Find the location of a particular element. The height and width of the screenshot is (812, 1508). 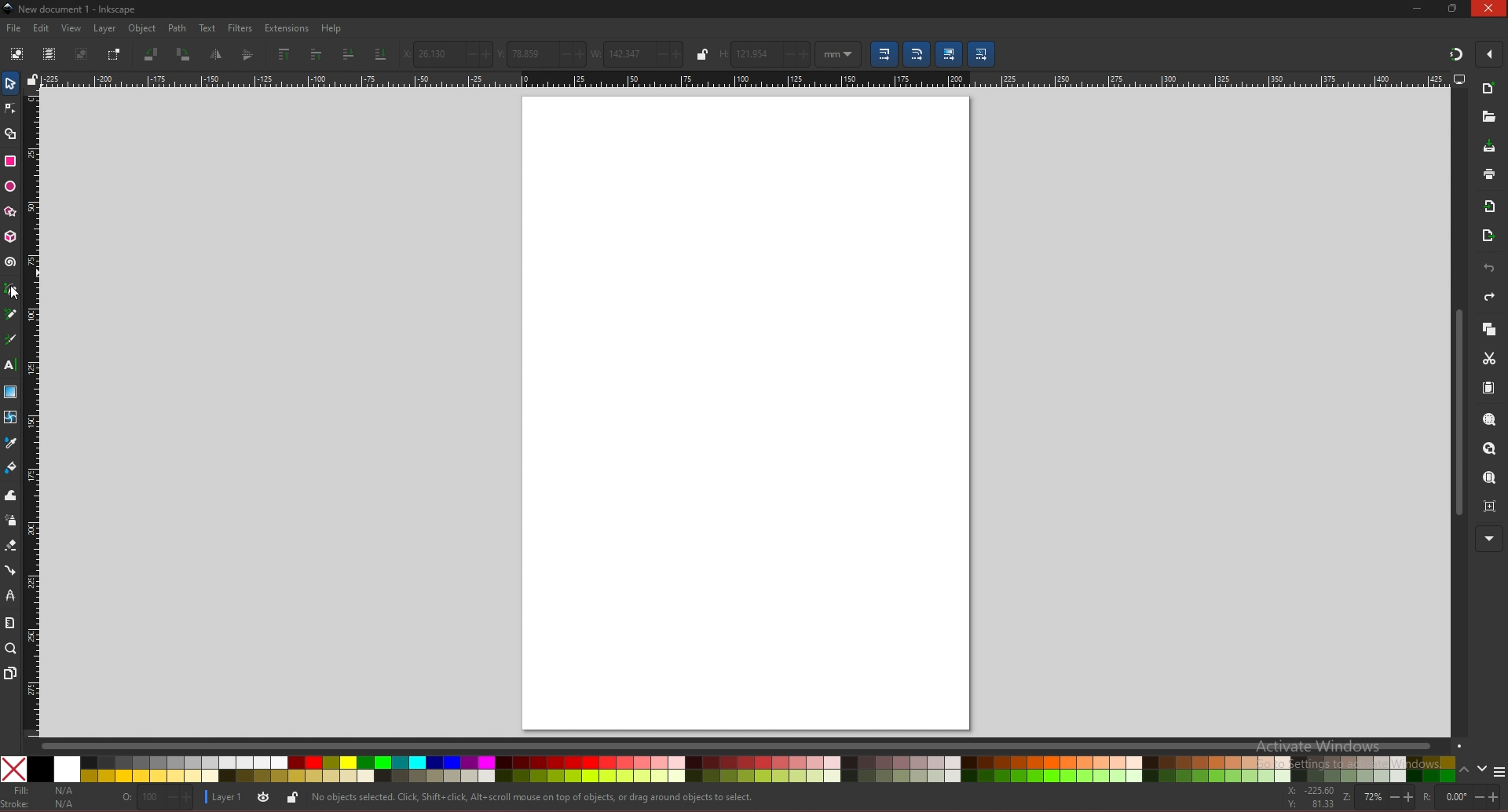

flip horizontal is located at coordinates (217, 54).